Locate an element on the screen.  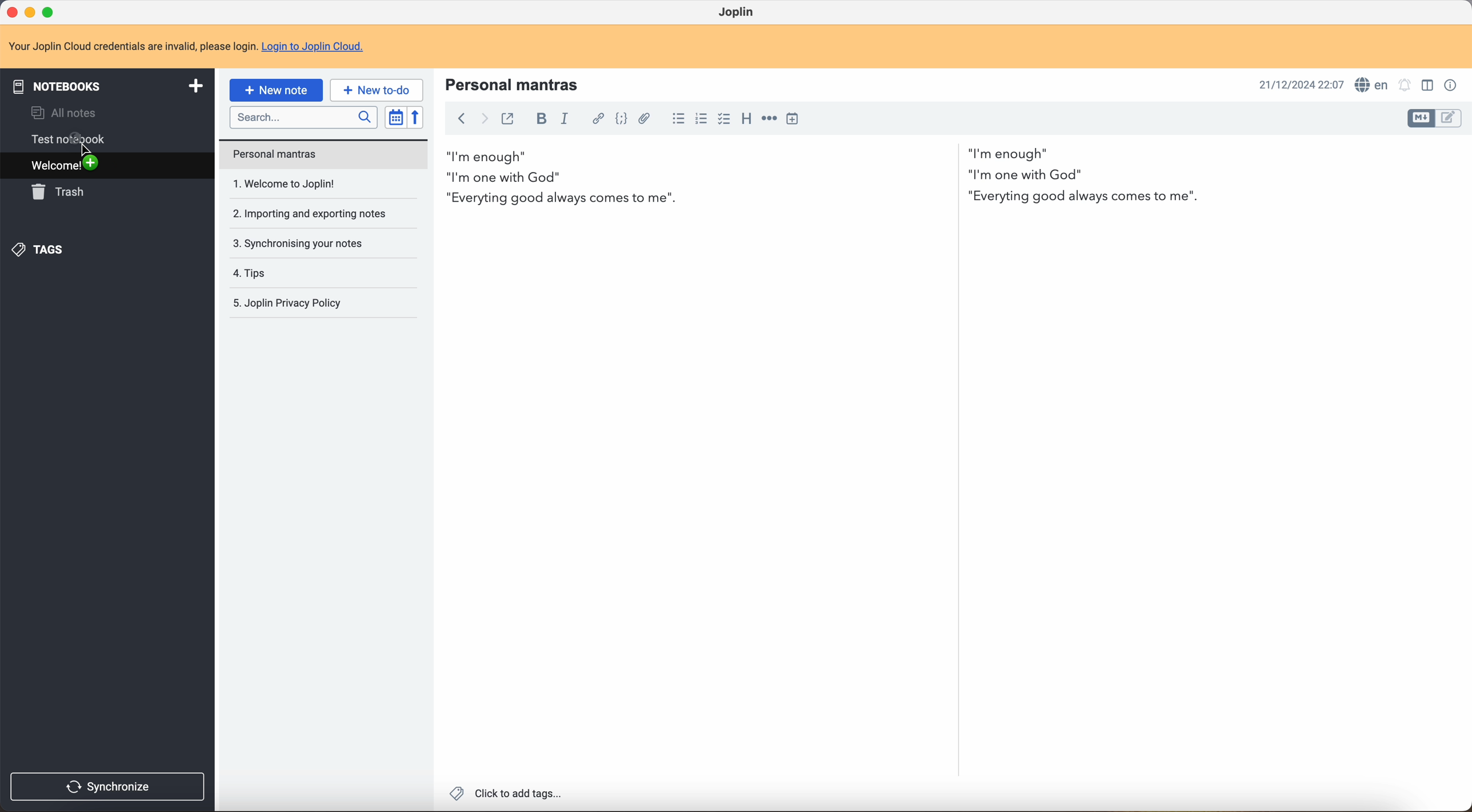
bulleted list is located at coordinates (677, 118).